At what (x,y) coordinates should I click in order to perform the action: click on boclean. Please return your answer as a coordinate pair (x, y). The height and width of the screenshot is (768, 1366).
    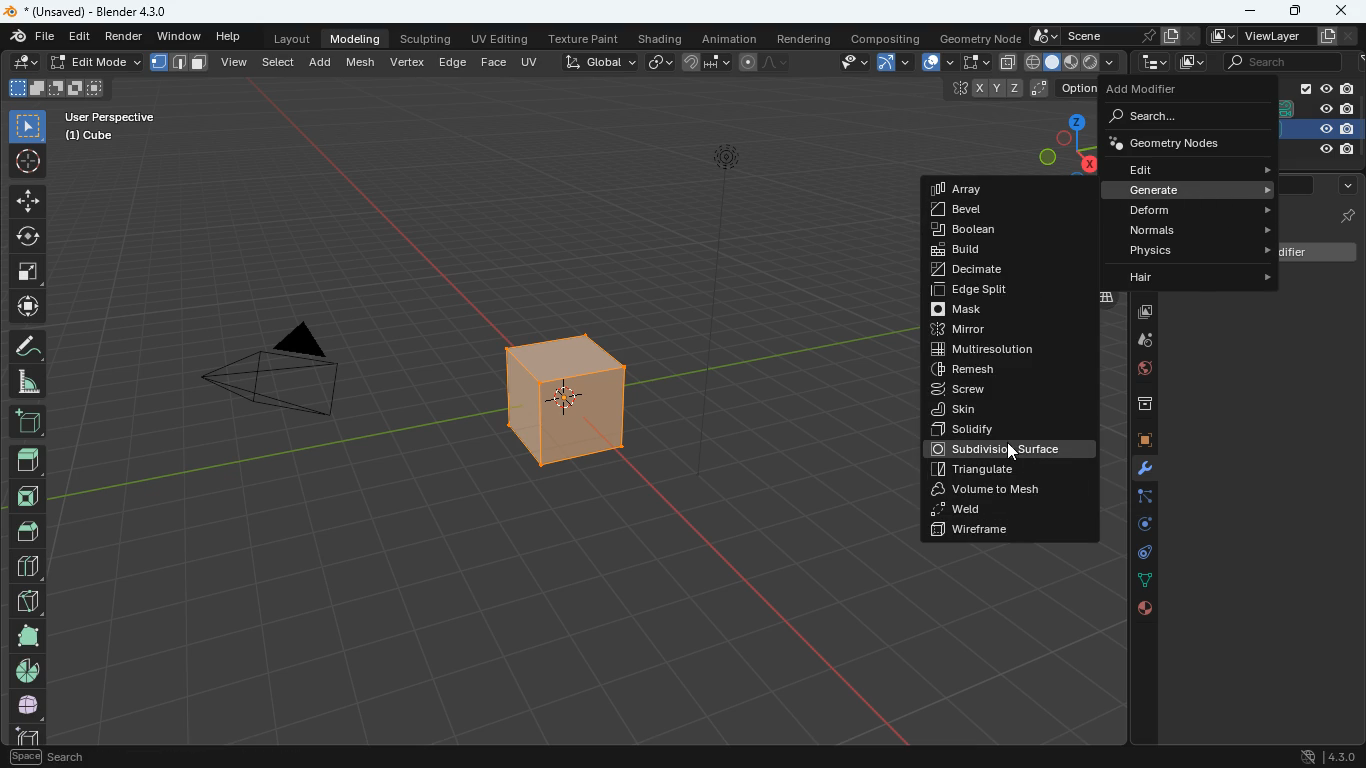
    Looking at the image, I should click on (979, 229).